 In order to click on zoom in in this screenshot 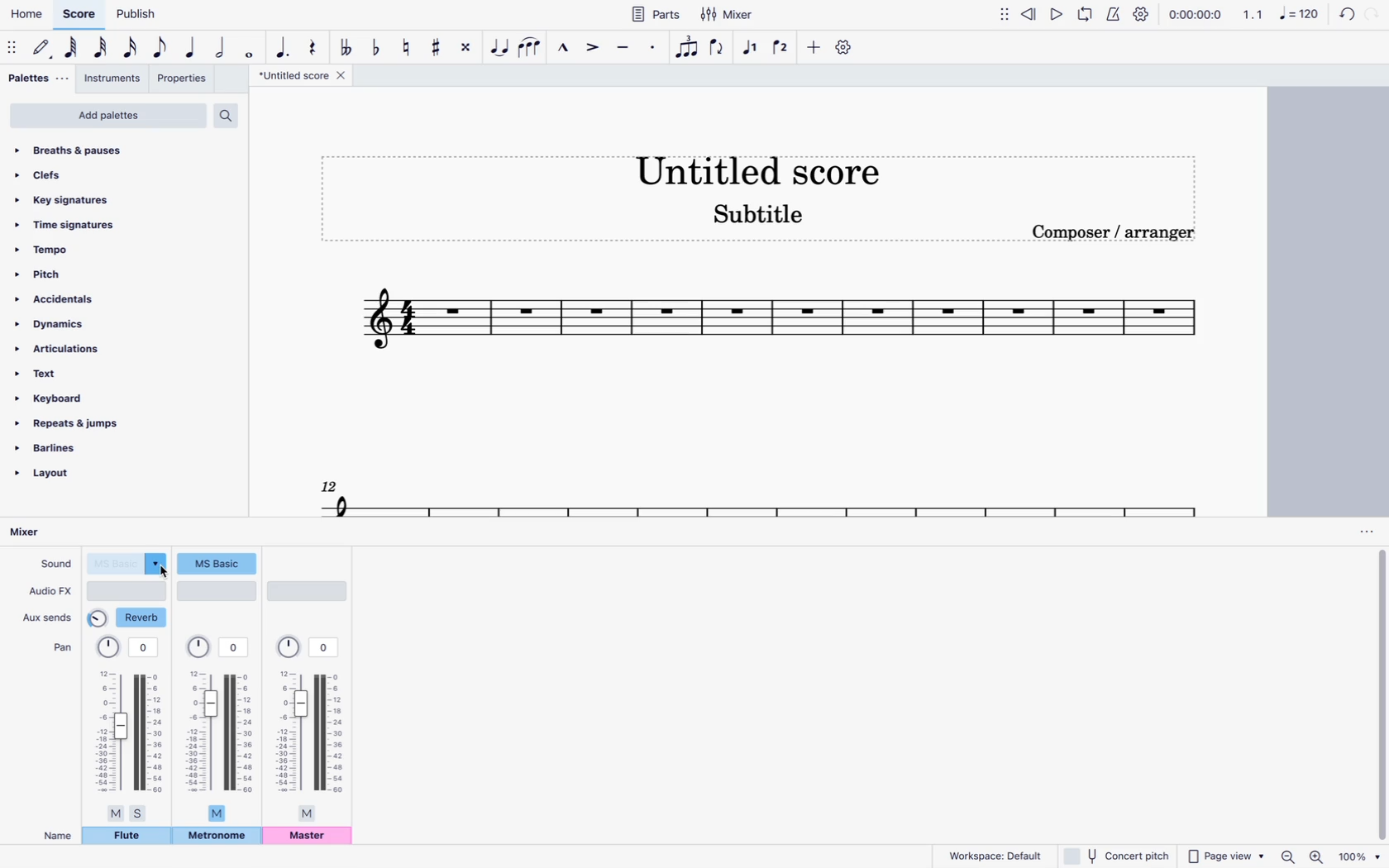, I will do `click(1318, 855)`.